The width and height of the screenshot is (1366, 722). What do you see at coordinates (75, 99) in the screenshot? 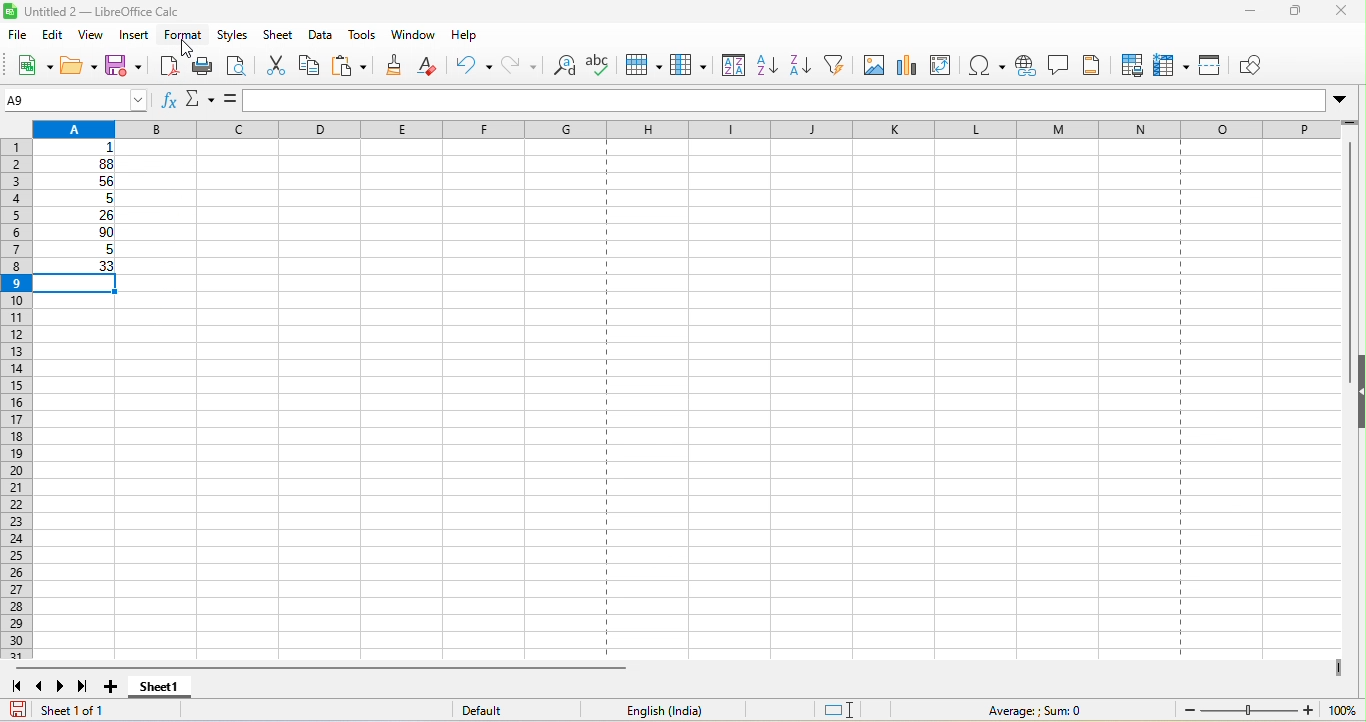
I see `A9 (name box)` at bounding box center [75, 99].